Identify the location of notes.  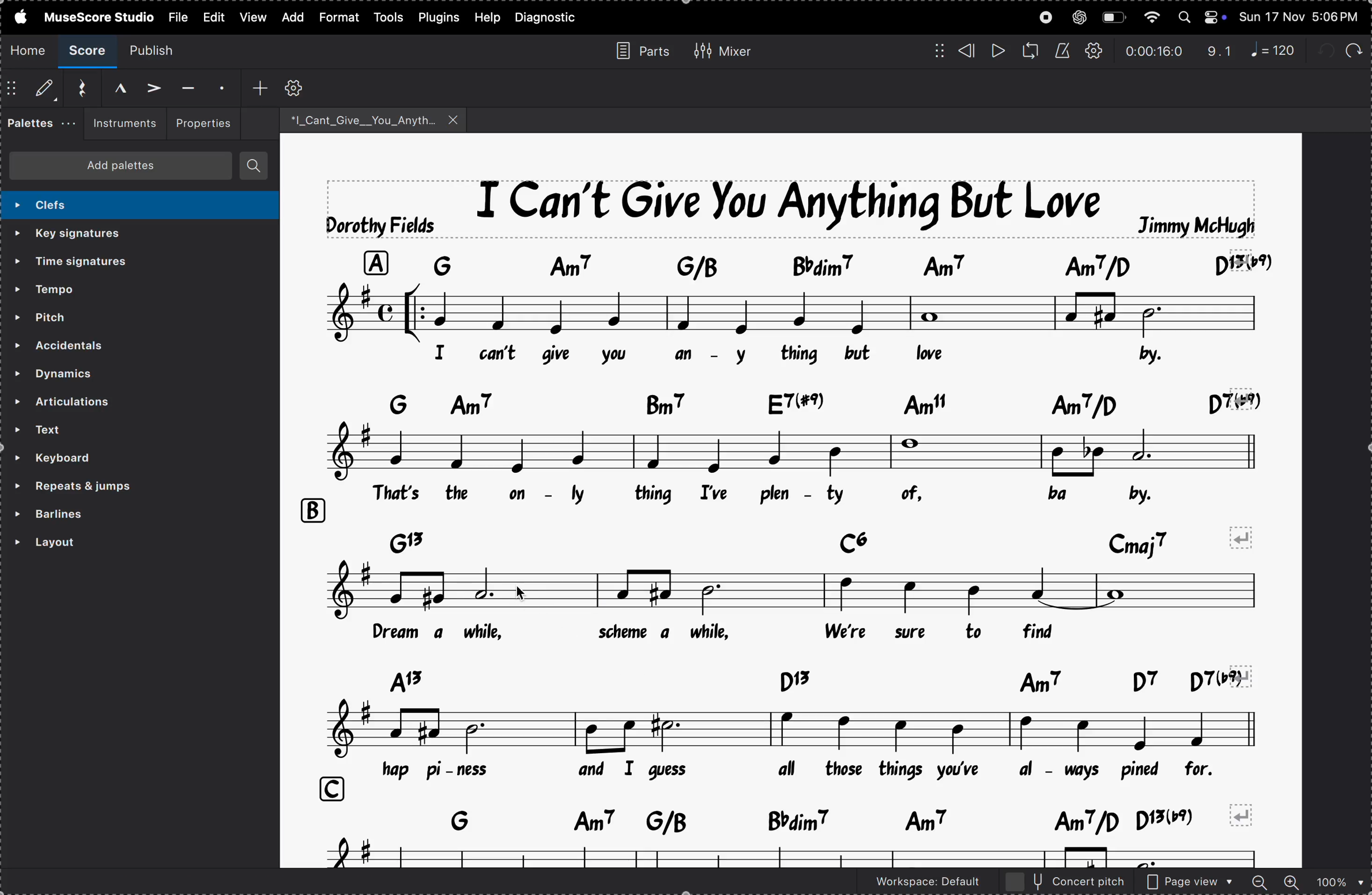
(793, 311).